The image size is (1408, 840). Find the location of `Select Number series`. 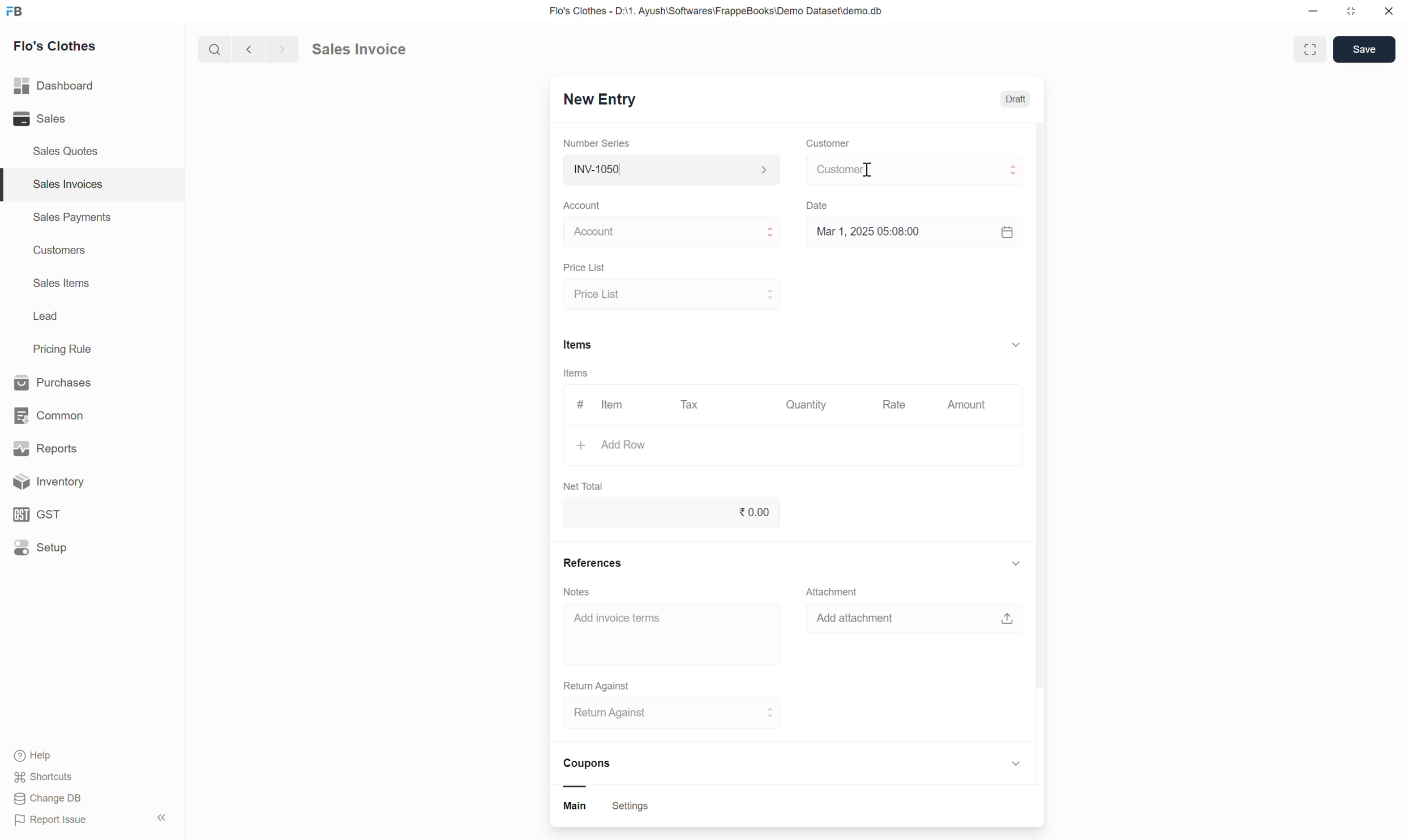

Select Number series is located at coordinates (669, 169).